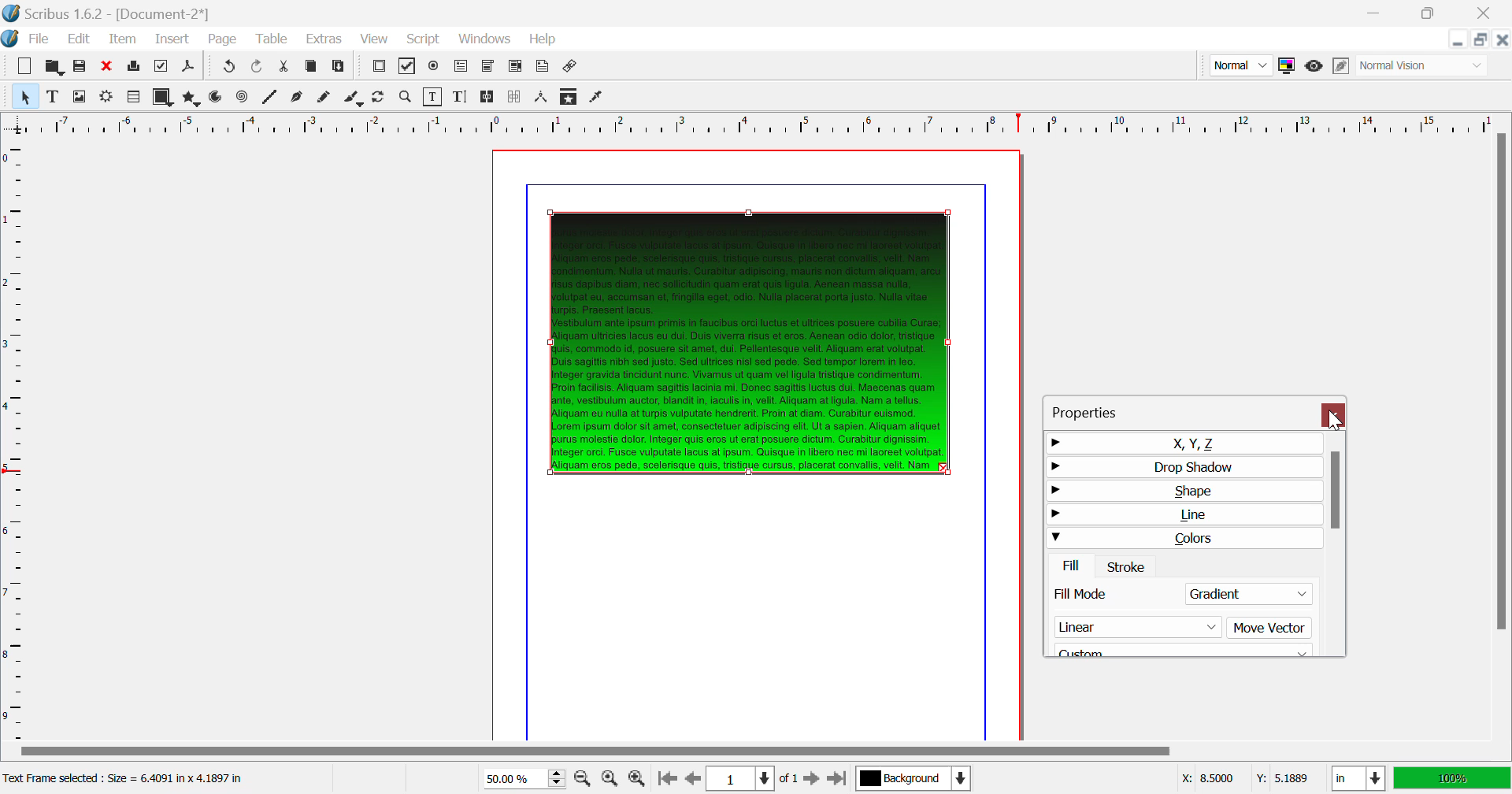 The width and height of the screenshot is (1512, 794). Describe the element at coordinates (691, 779) in the screenshot. I see `Previous Page` at that location.